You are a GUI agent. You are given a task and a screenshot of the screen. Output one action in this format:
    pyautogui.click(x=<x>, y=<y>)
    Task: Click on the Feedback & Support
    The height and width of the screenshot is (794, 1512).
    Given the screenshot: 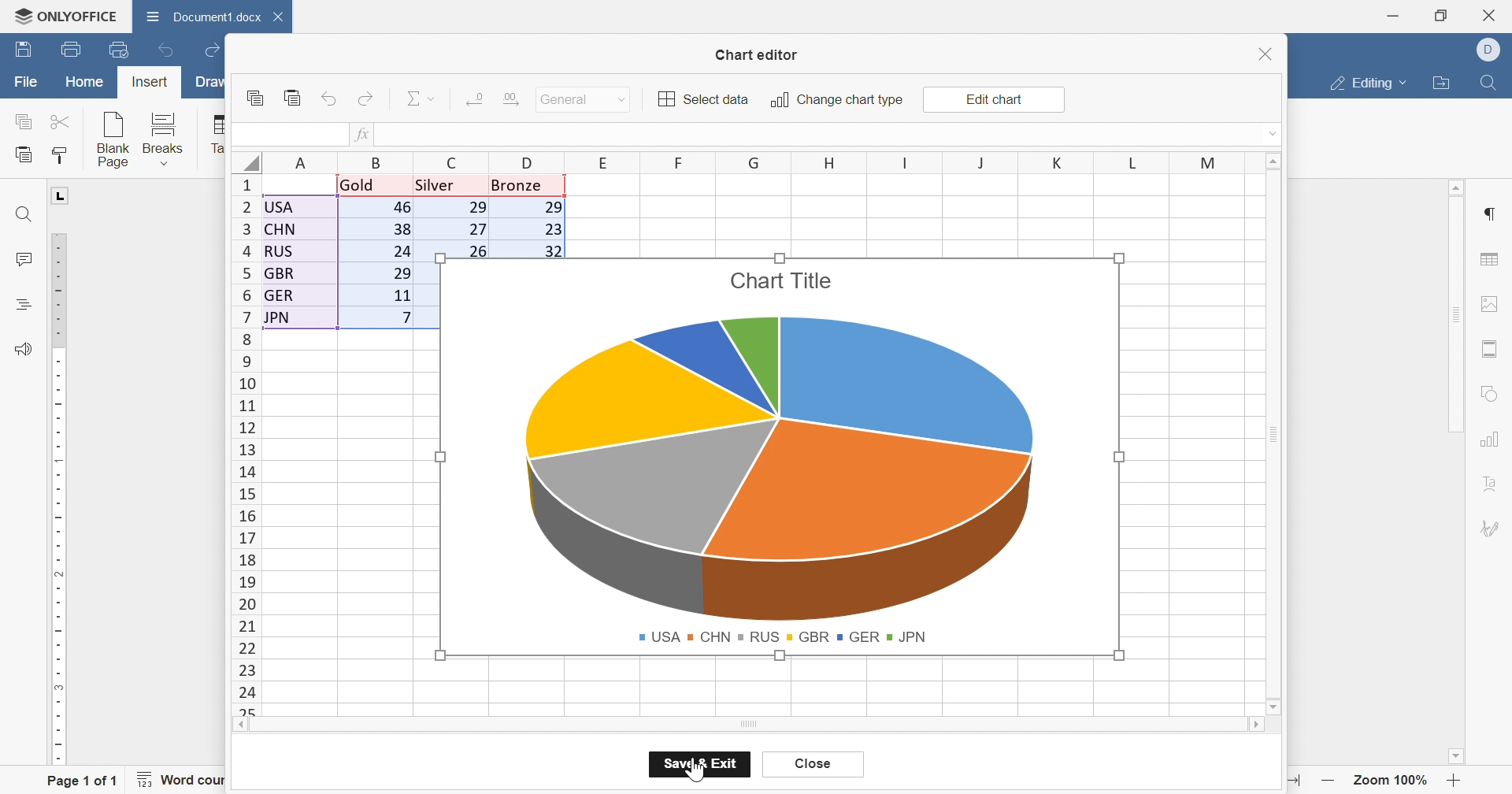 What is the action you would take?
    pyautogui.click(x=24, y=347)
    